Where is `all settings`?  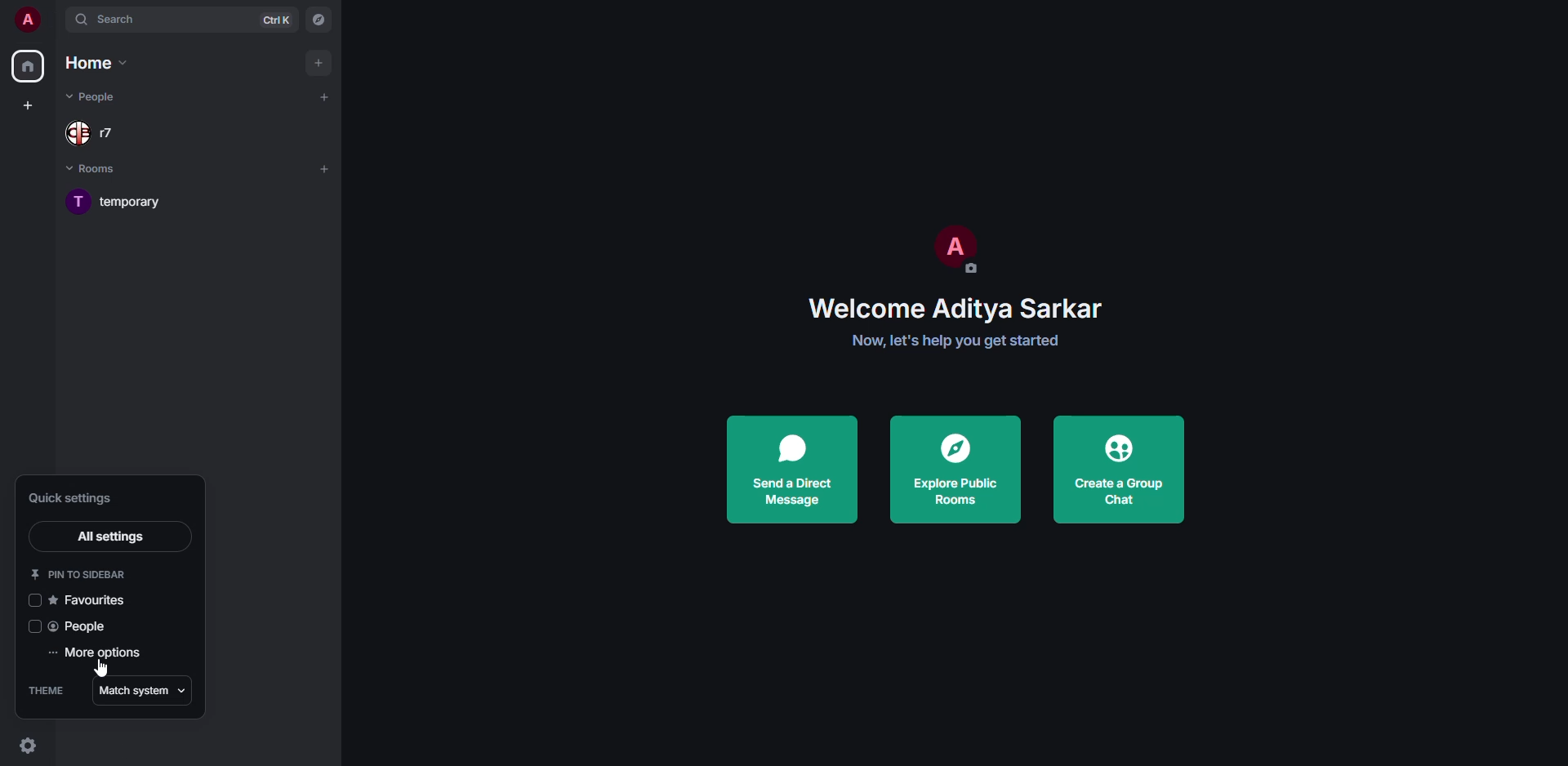
all settings is located at coordinates (110, 535).